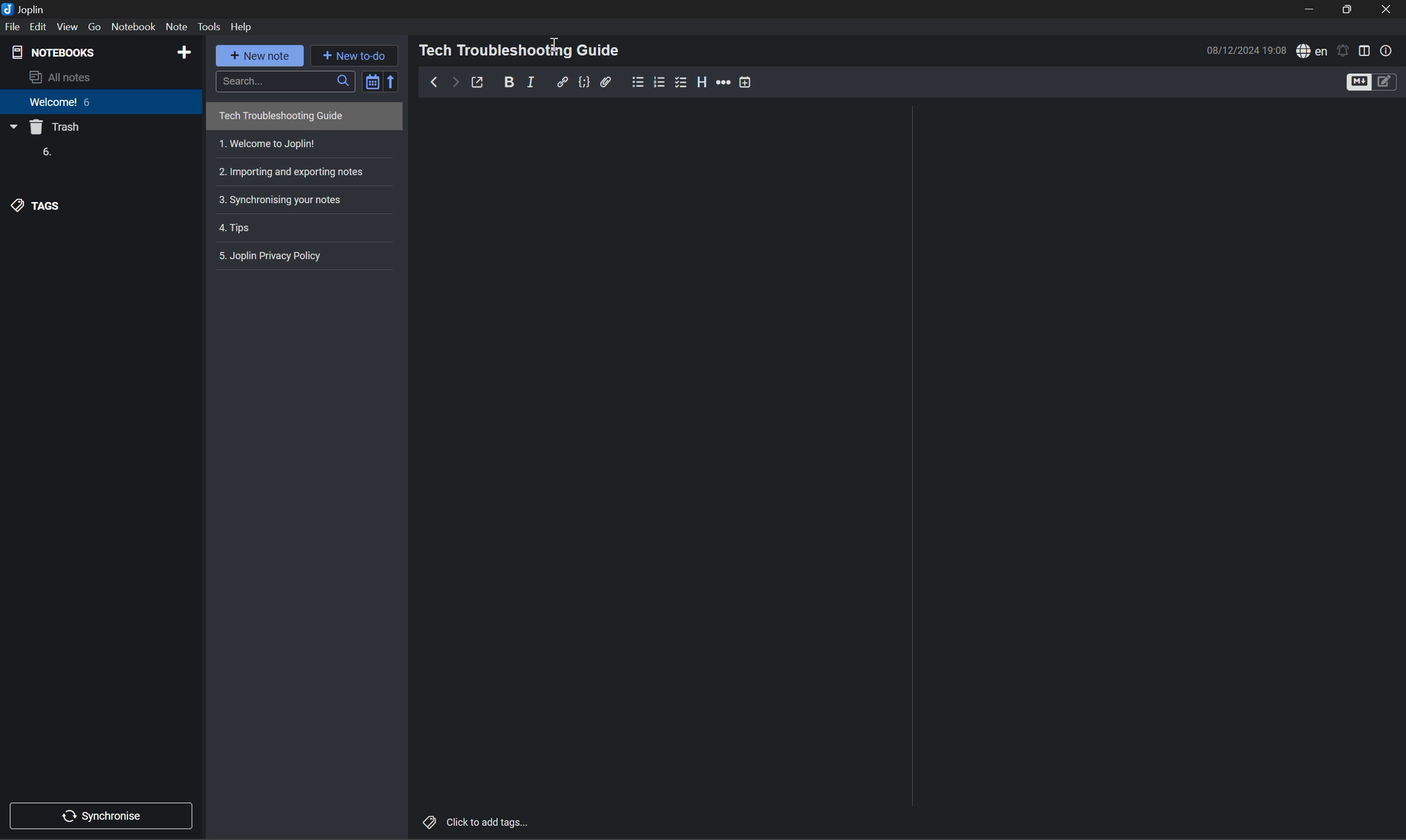  Describe the element at coordinates (702, 82) in the screenshot. I see `Heading` at that location.